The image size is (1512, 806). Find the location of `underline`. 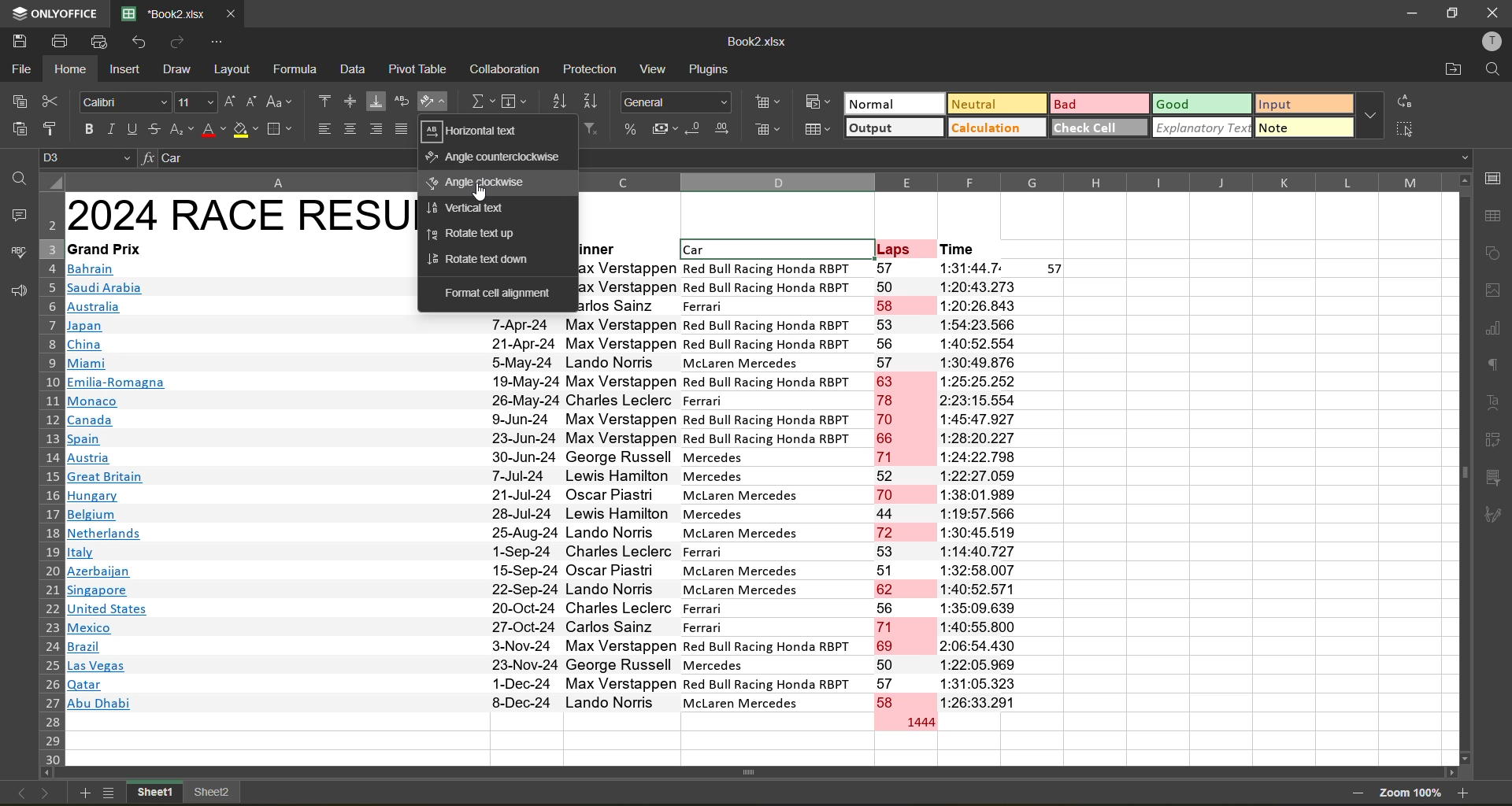

underline is located at coordinates (132, 129).